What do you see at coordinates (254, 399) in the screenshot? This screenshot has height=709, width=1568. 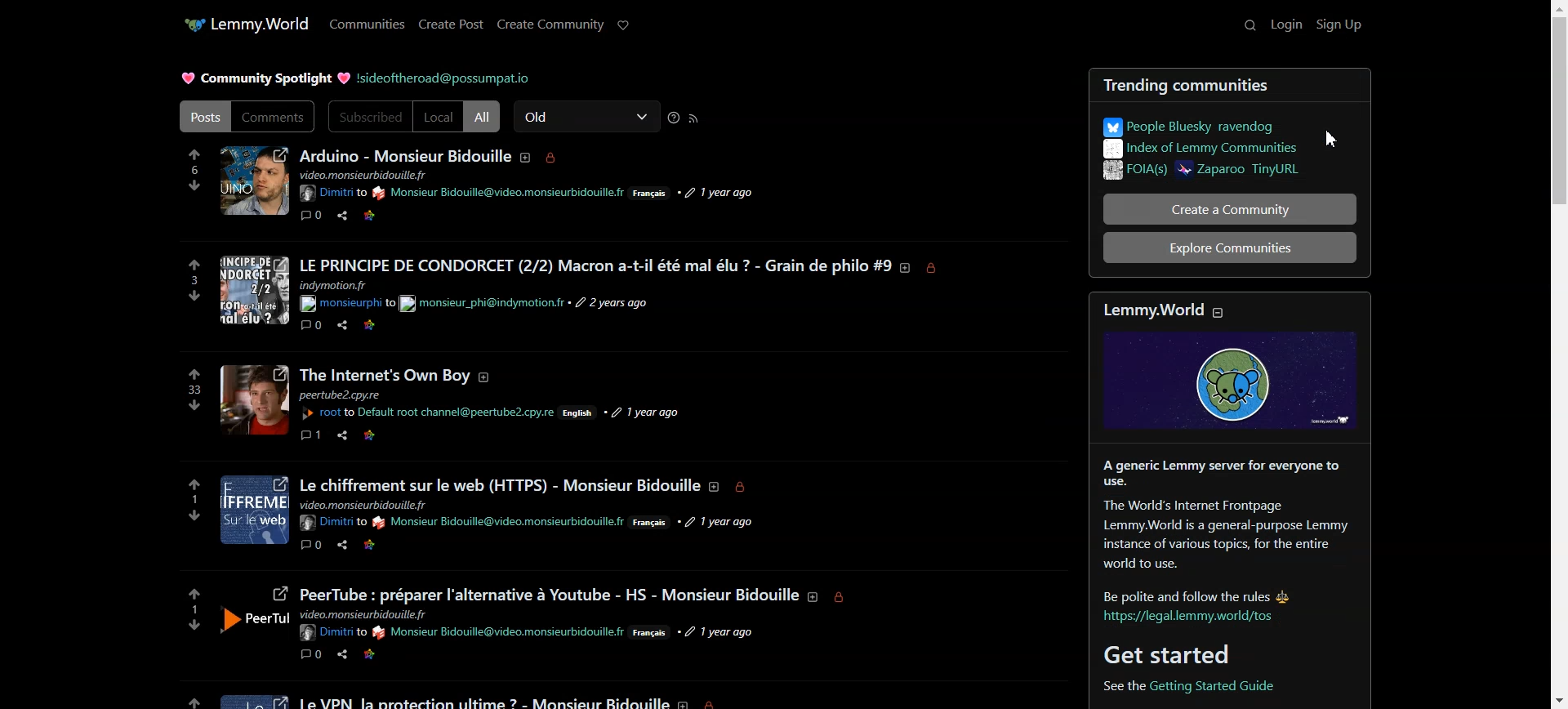 I see `` at bounding box center [254, 399].